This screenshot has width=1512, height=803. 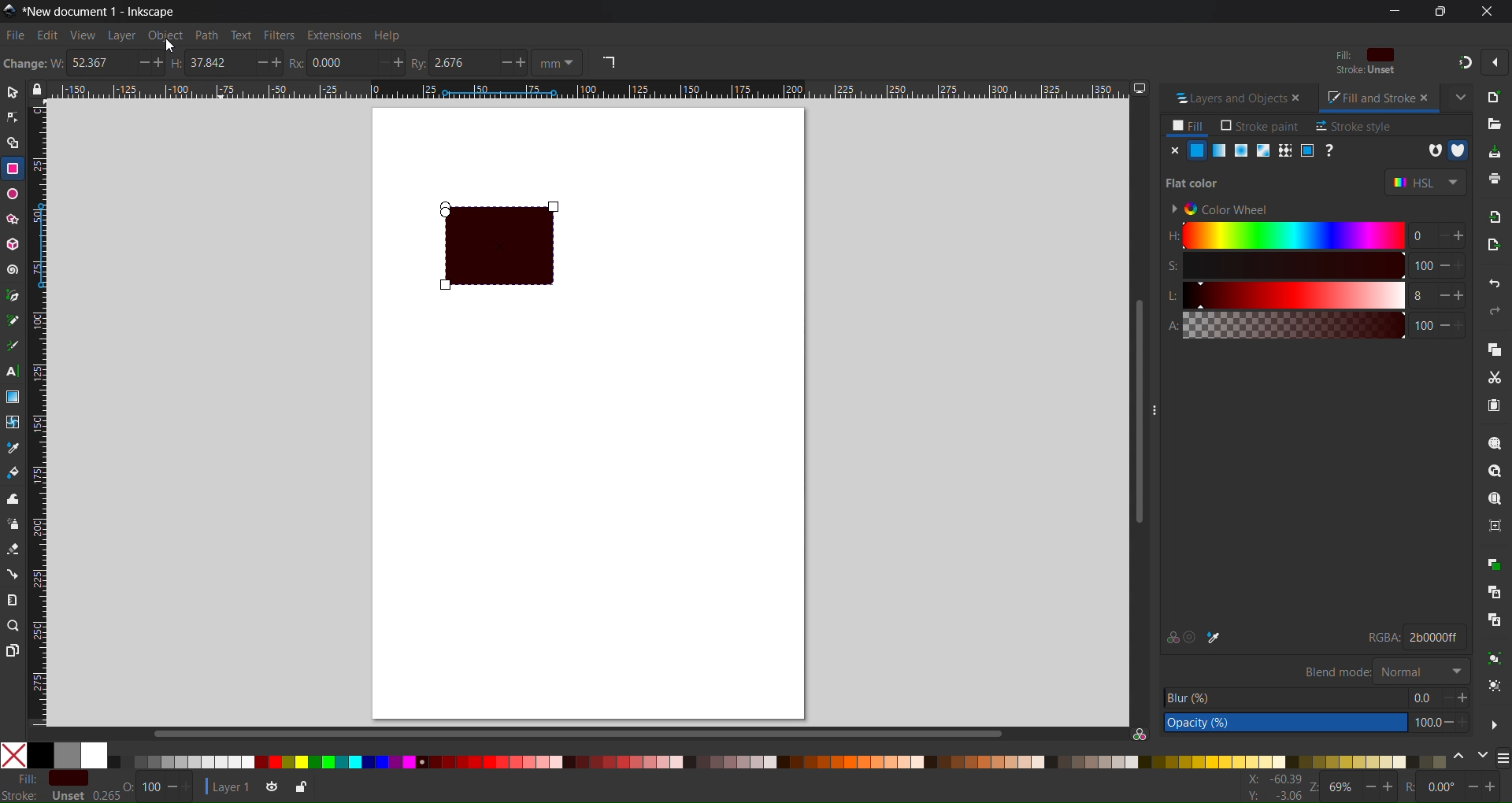 What do you see at coordinates (1443, 789) in the screenshot?
I see `current Rotation: 0.00 degrees` at bounding box center [1443, 789].